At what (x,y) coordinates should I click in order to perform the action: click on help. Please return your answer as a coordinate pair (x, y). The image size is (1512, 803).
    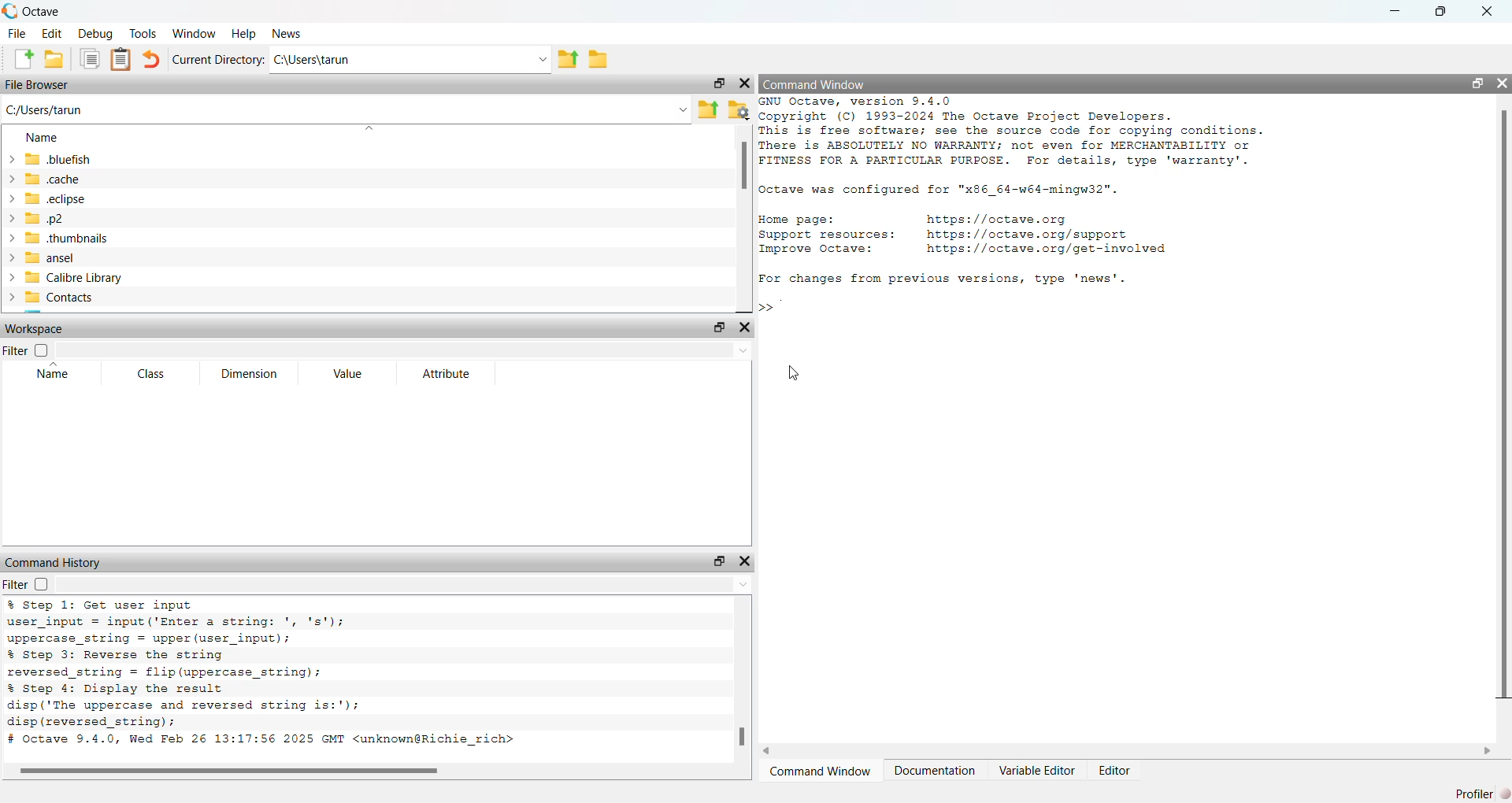
    Looking at the image, I should click on (243, 35).